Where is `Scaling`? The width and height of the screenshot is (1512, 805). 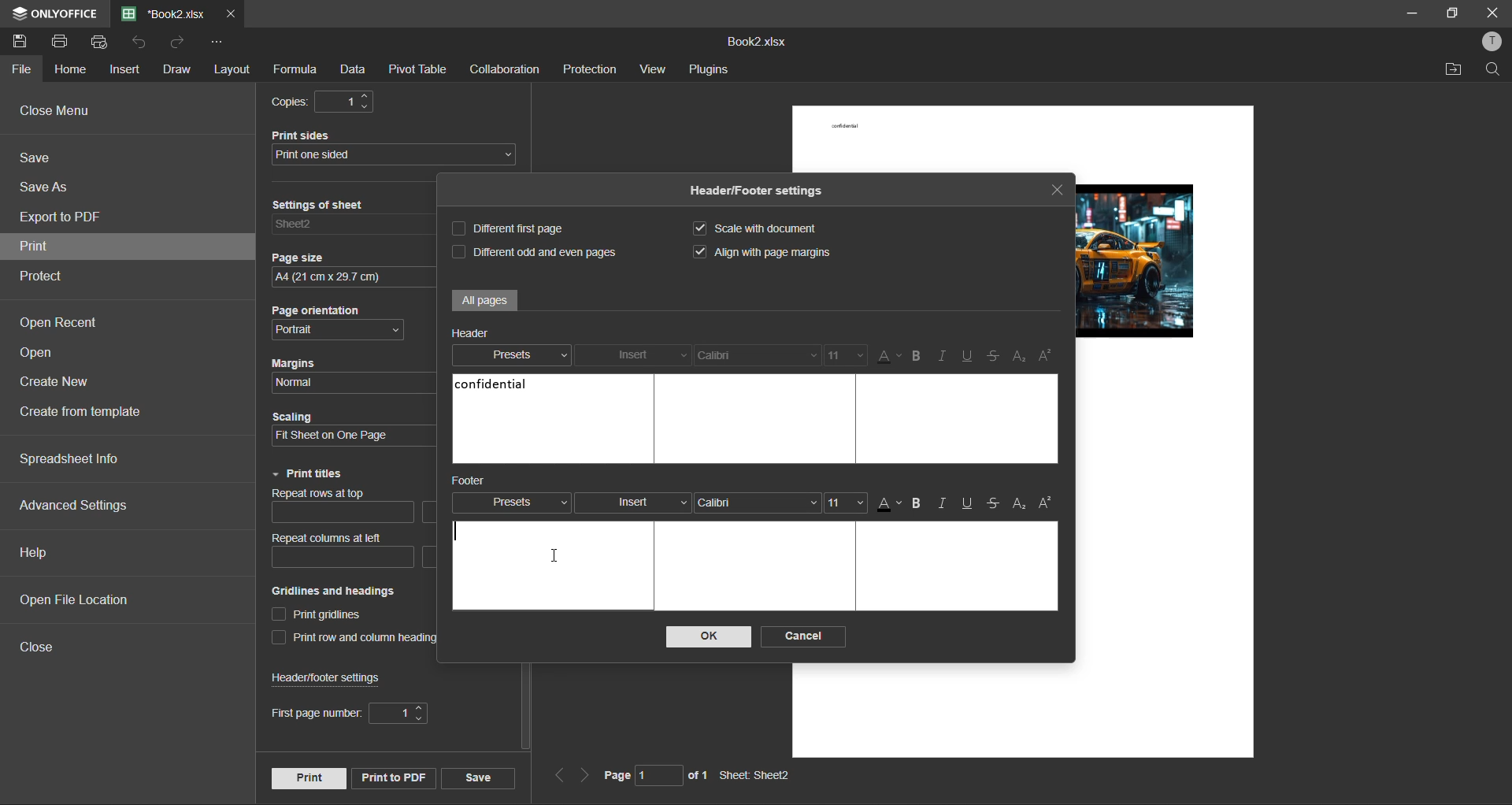
Scaling is located at coordinates (295, 417).